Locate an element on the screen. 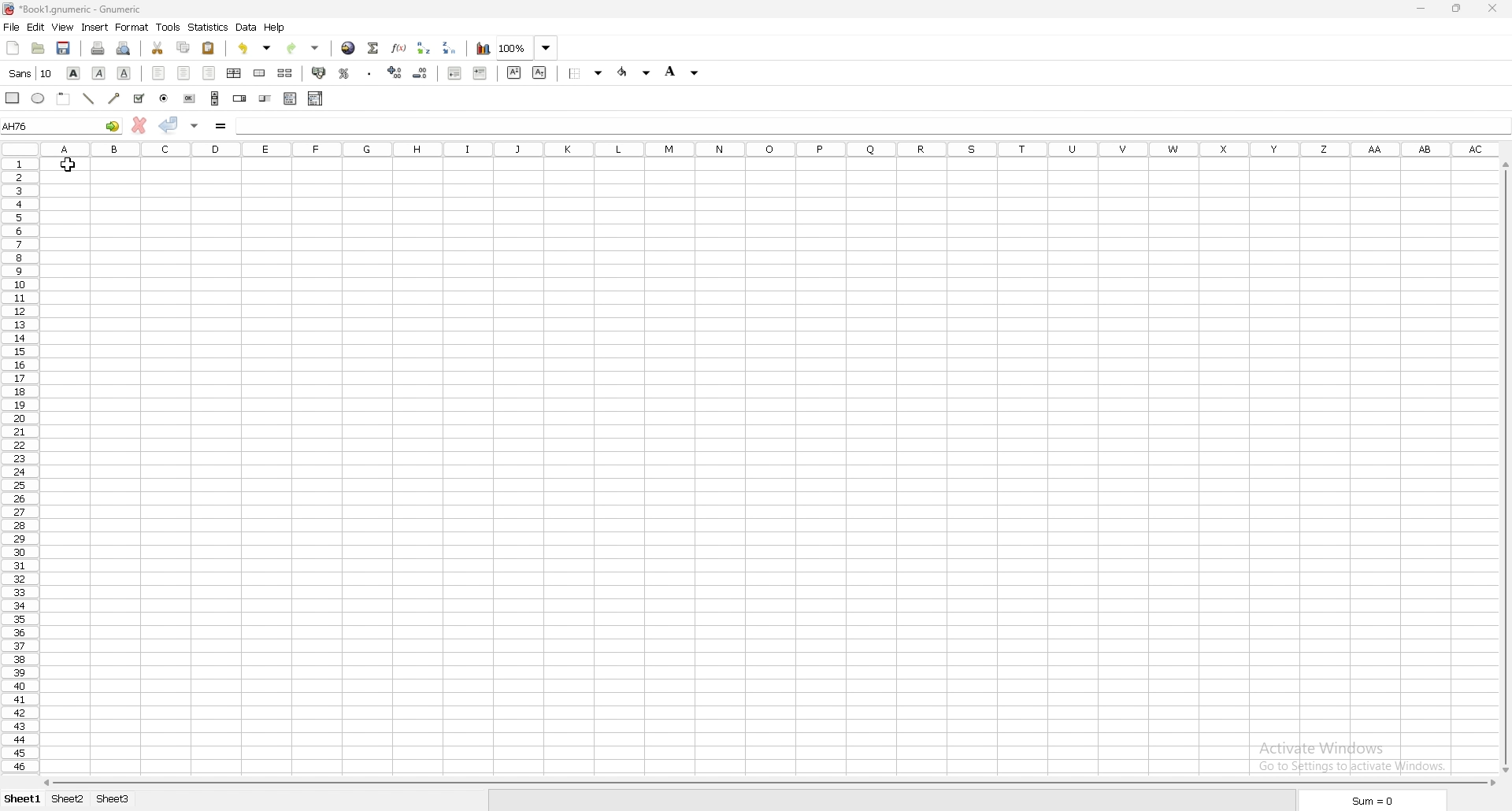  paste is located at coordinates (208, 49).